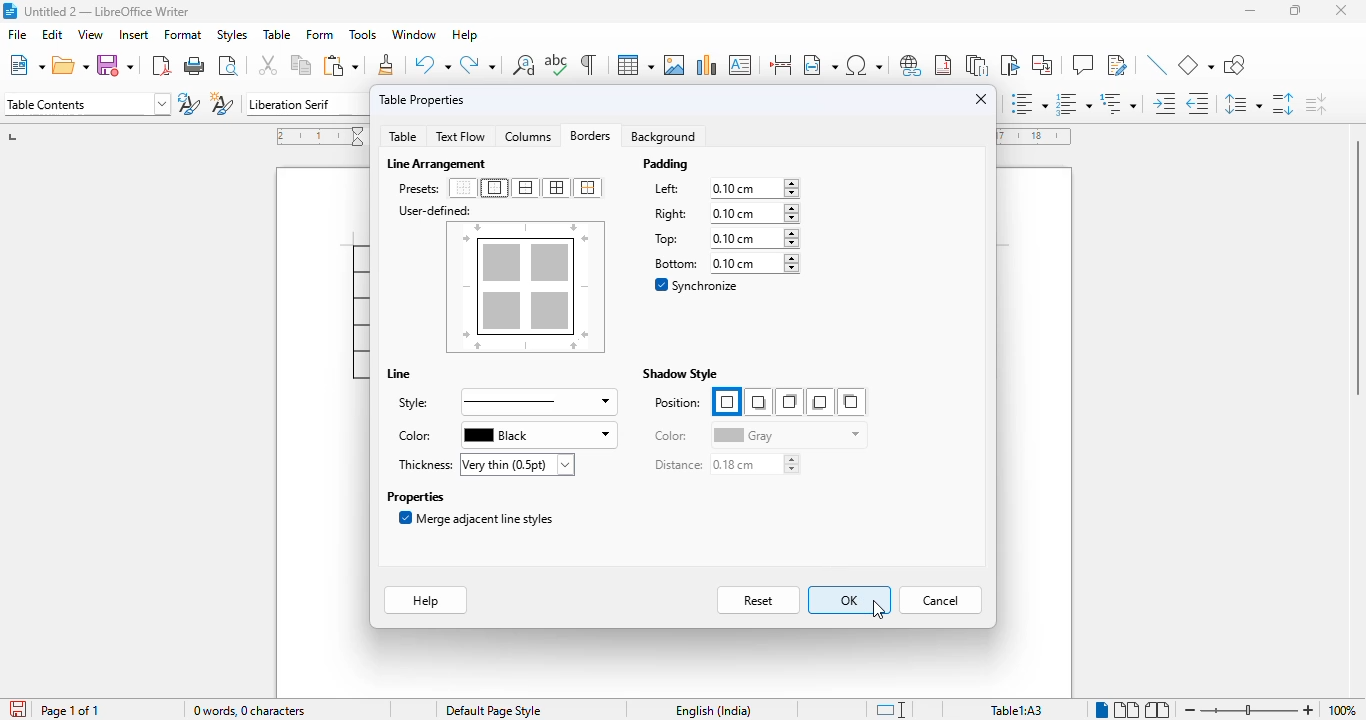  I want to click on spelling, so click(558, 65).